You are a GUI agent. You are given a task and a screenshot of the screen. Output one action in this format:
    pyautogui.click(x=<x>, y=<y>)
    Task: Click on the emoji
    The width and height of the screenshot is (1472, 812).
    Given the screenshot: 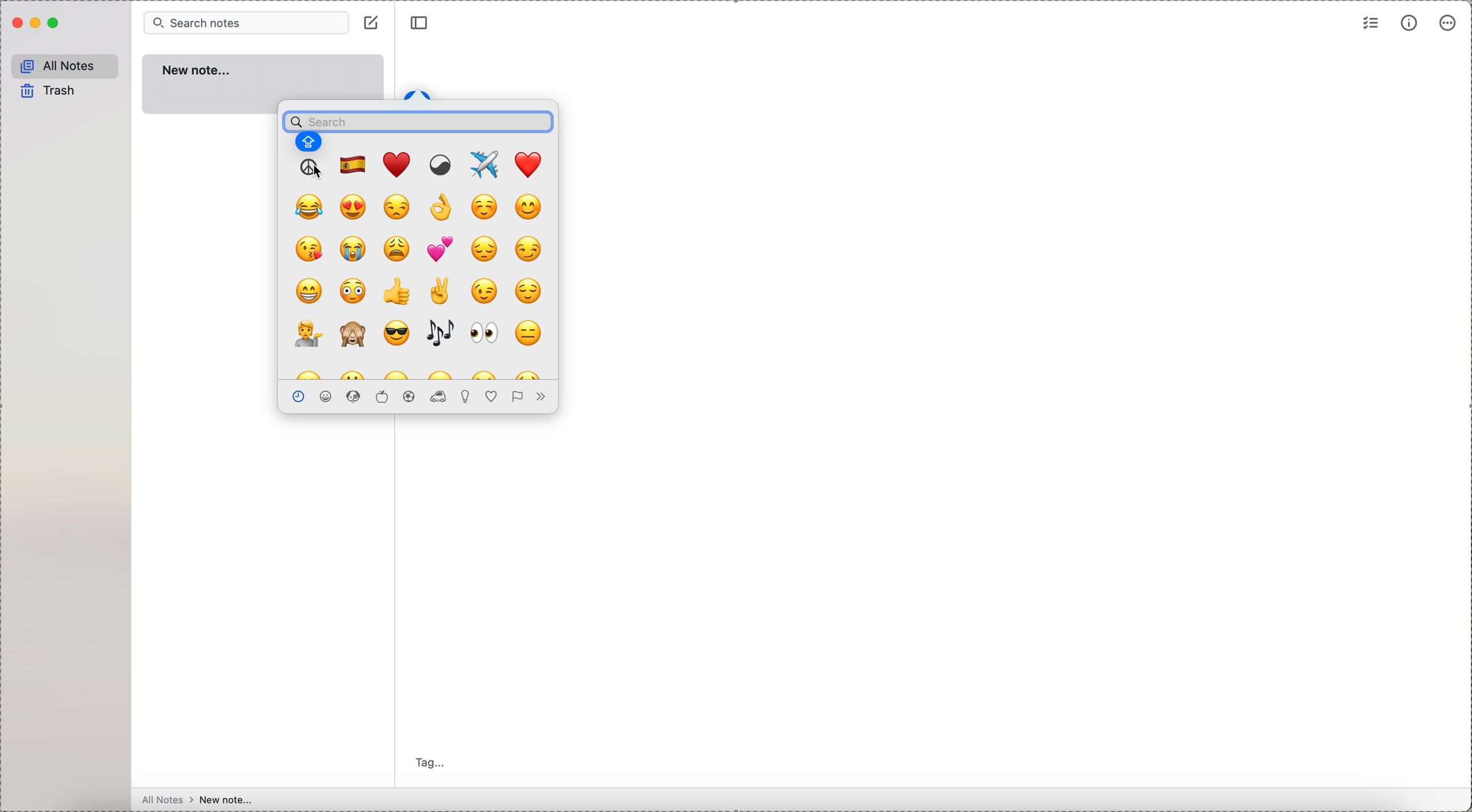 What is the action you would take?
    pyautogui.click(x=398, y=247)
    